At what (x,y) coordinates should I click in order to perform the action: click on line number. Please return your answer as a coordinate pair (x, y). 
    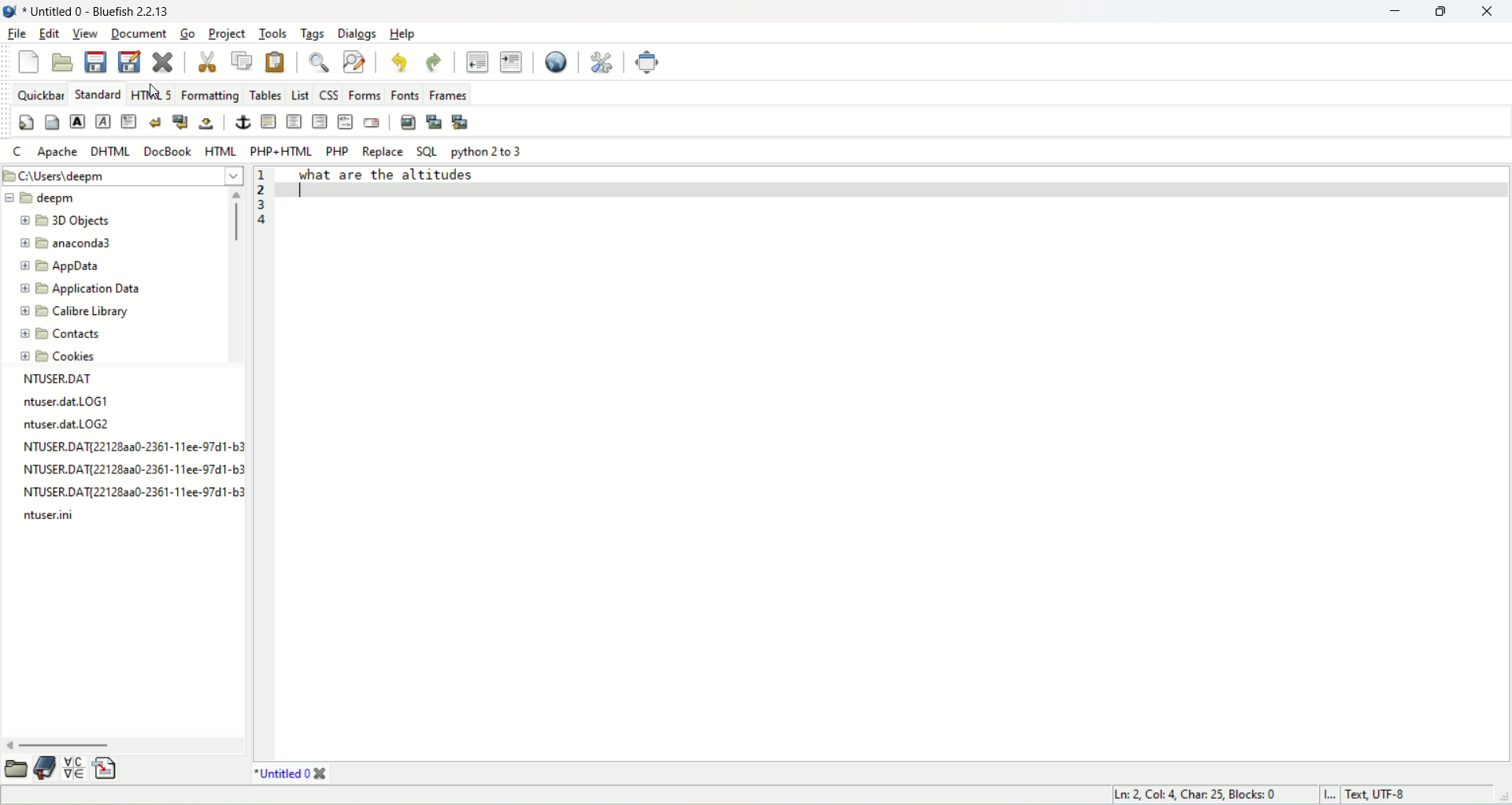
    Looking at the image, I should click on (264, 192).